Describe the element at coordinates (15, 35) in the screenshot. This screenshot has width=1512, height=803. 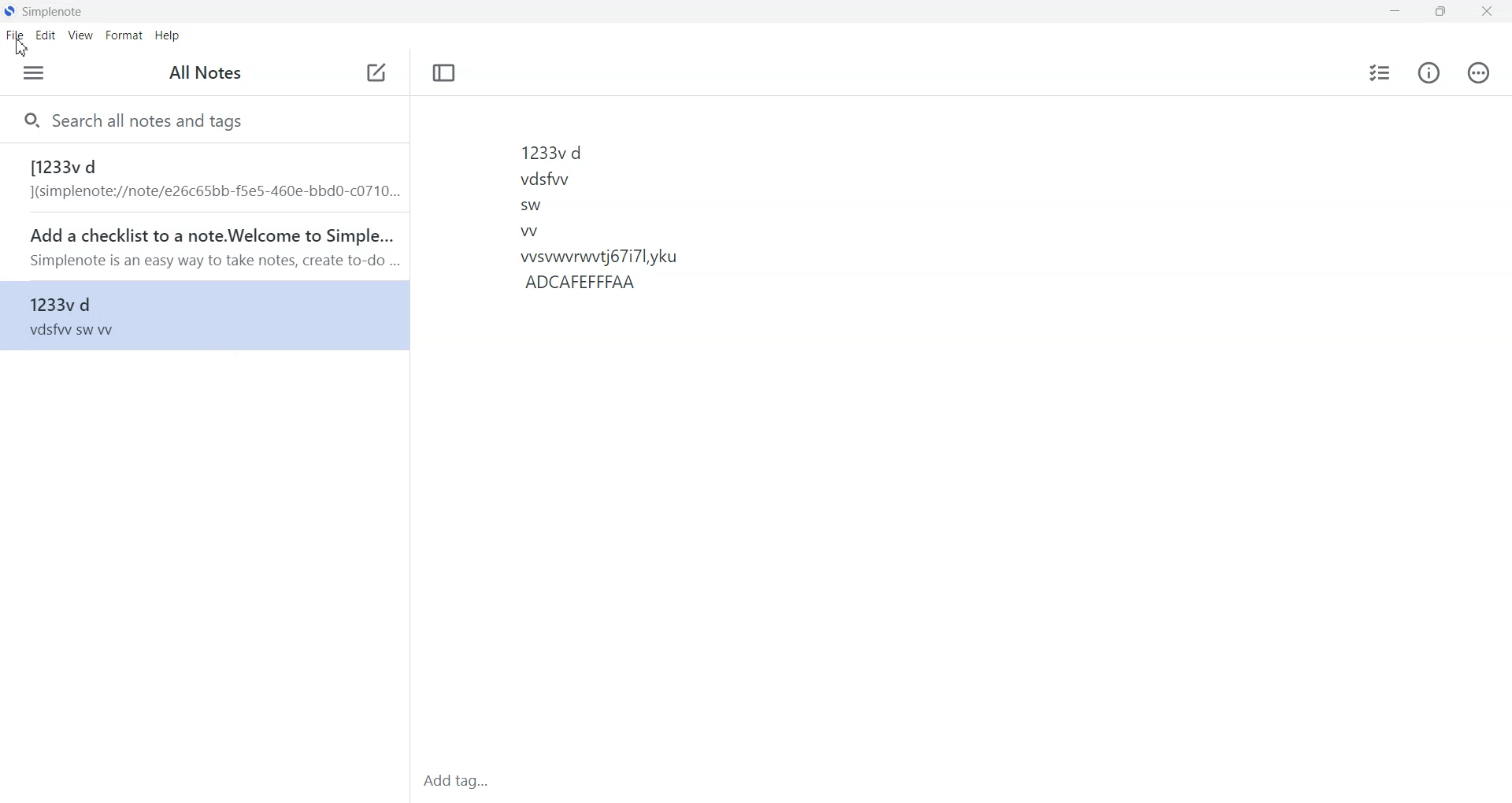
I see `File` at that location.